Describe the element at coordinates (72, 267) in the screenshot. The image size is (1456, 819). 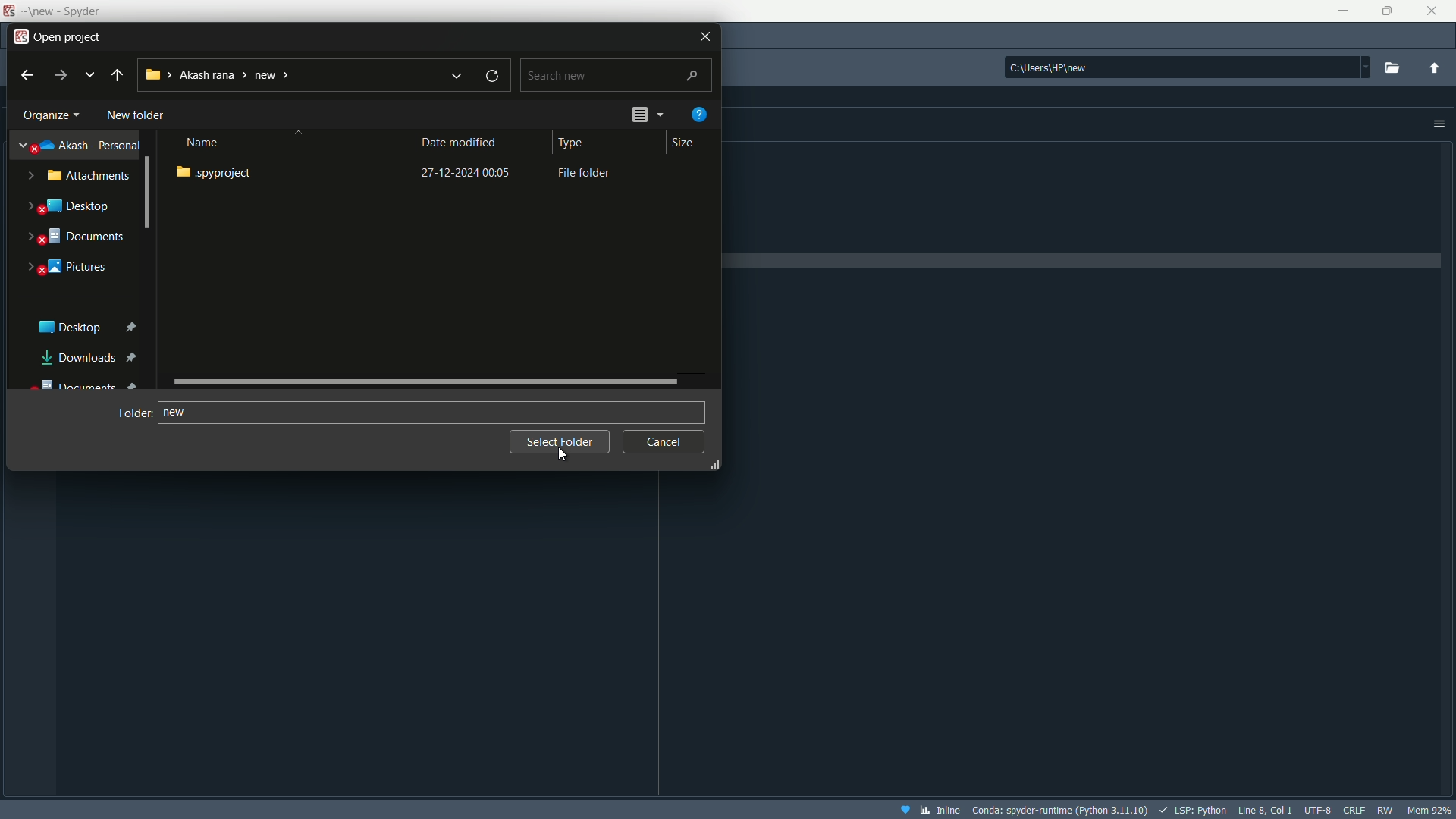
I see `pictures` at that location.